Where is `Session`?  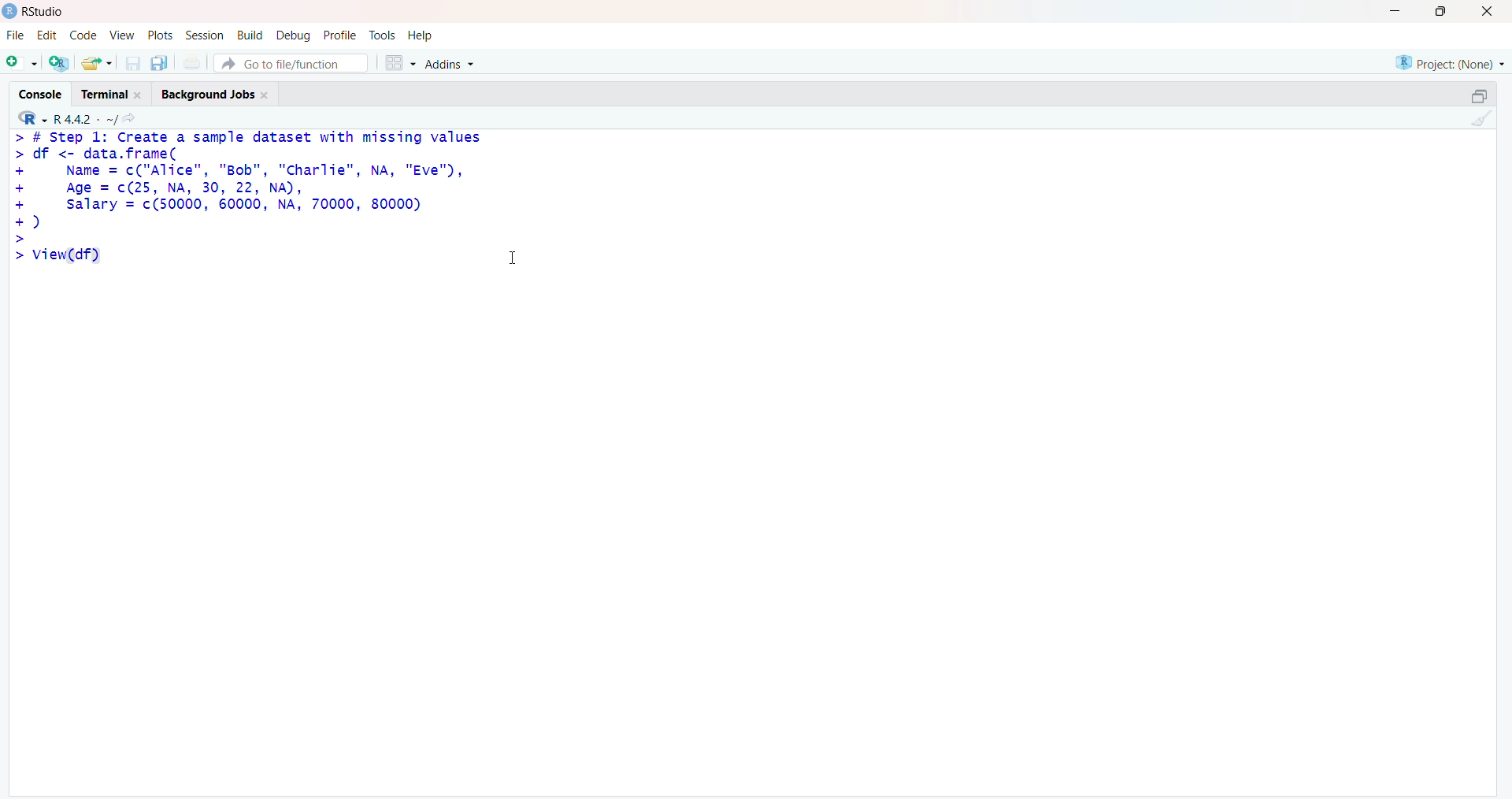 Session is located at coordinates (205, 36).